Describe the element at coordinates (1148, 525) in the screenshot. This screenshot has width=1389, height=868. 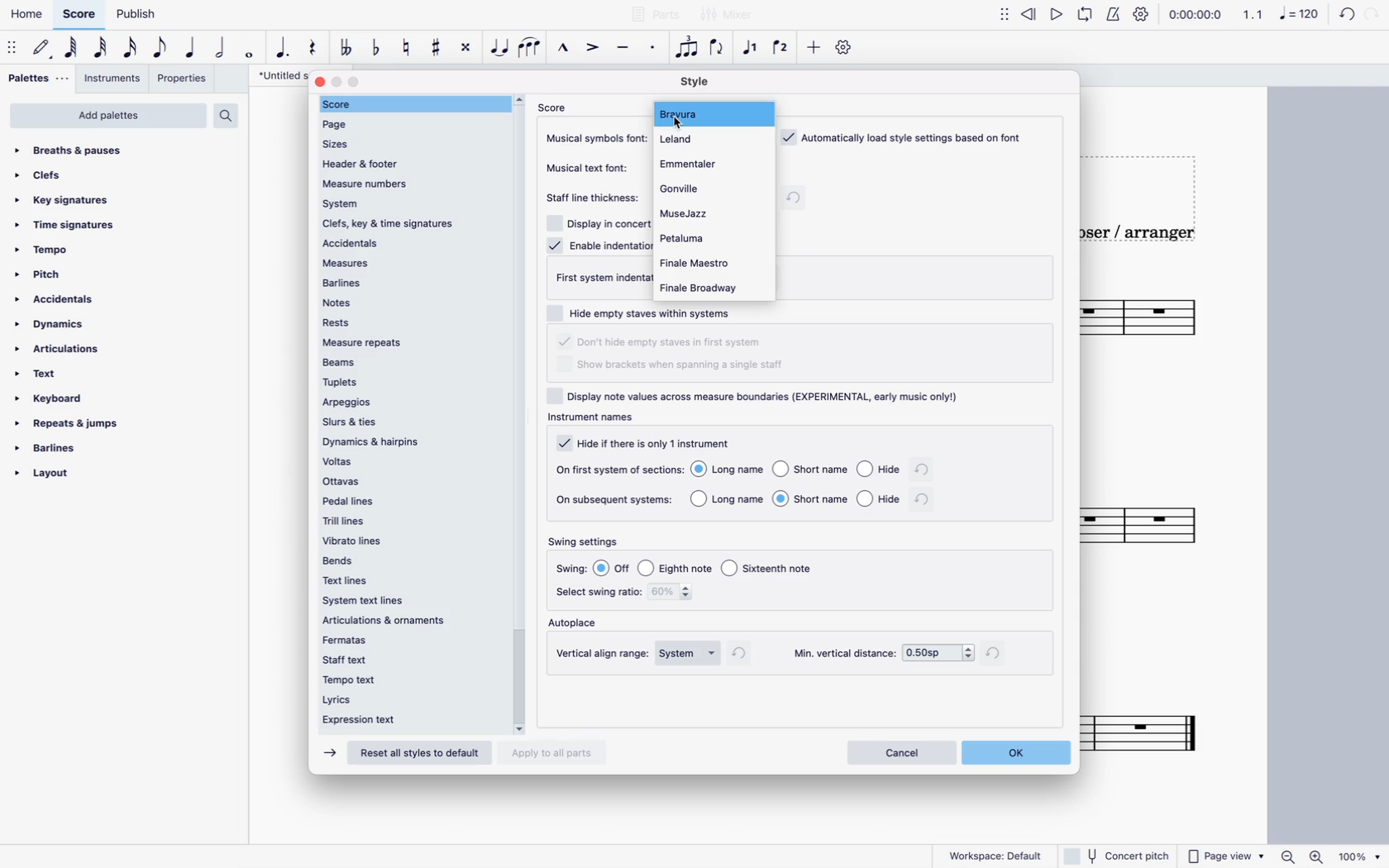
I see `score` at that location.